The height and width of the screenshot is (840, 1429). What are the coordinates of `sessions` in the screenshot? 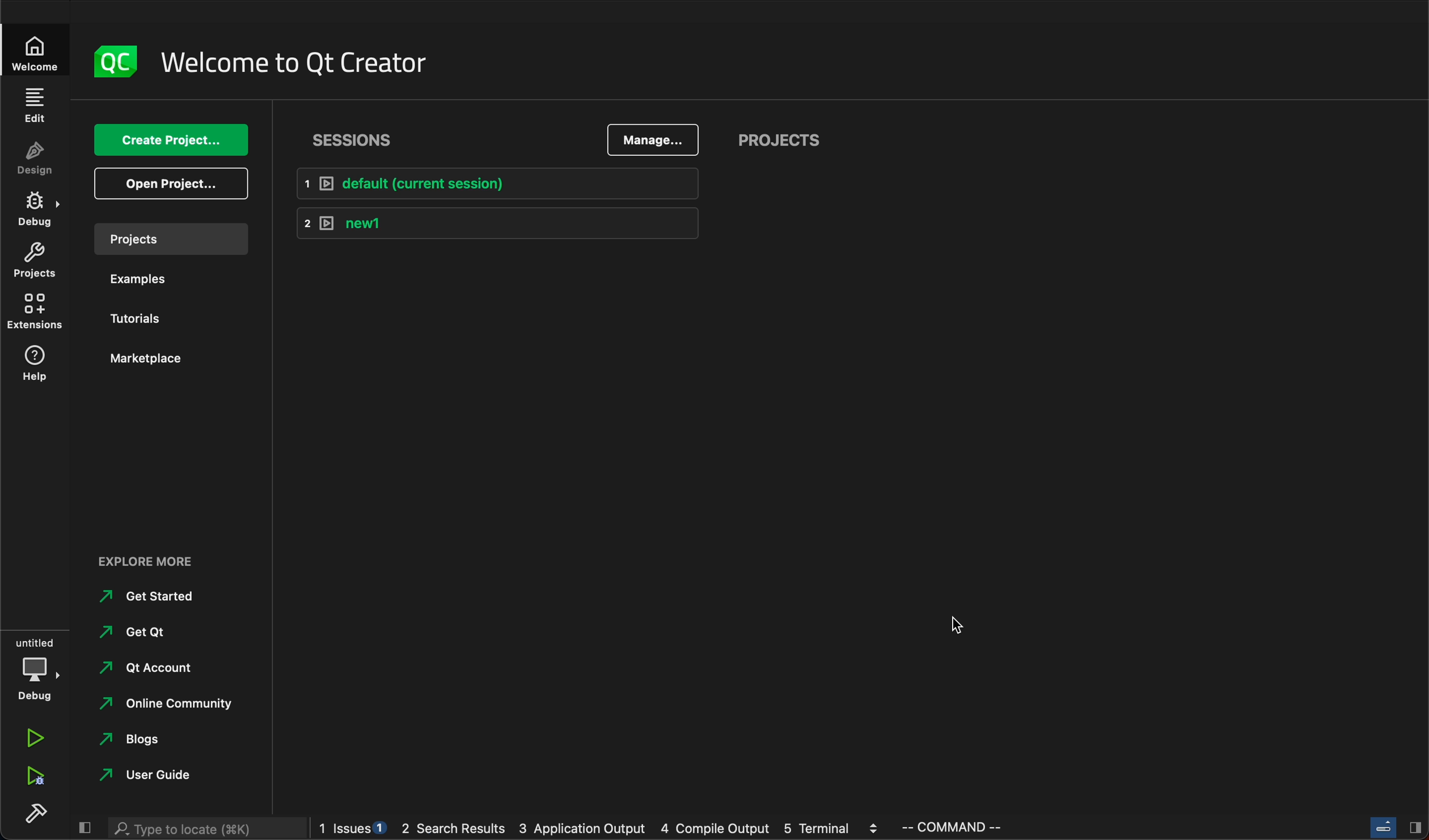 It's located at (360, 138).